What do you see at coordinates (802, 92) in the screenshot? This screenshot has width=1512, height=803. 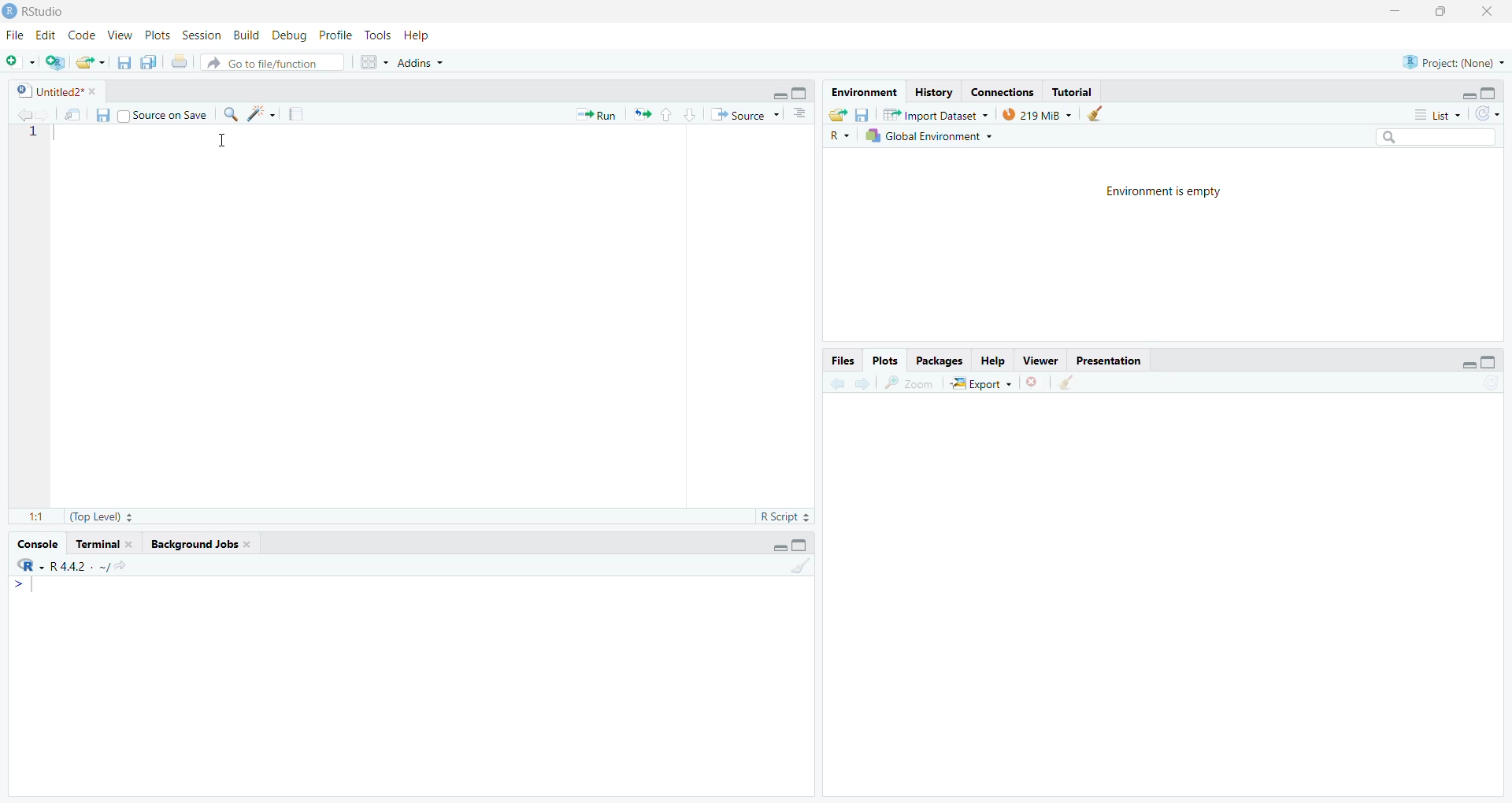 I see `Full height` at bounding box center [802, 92].